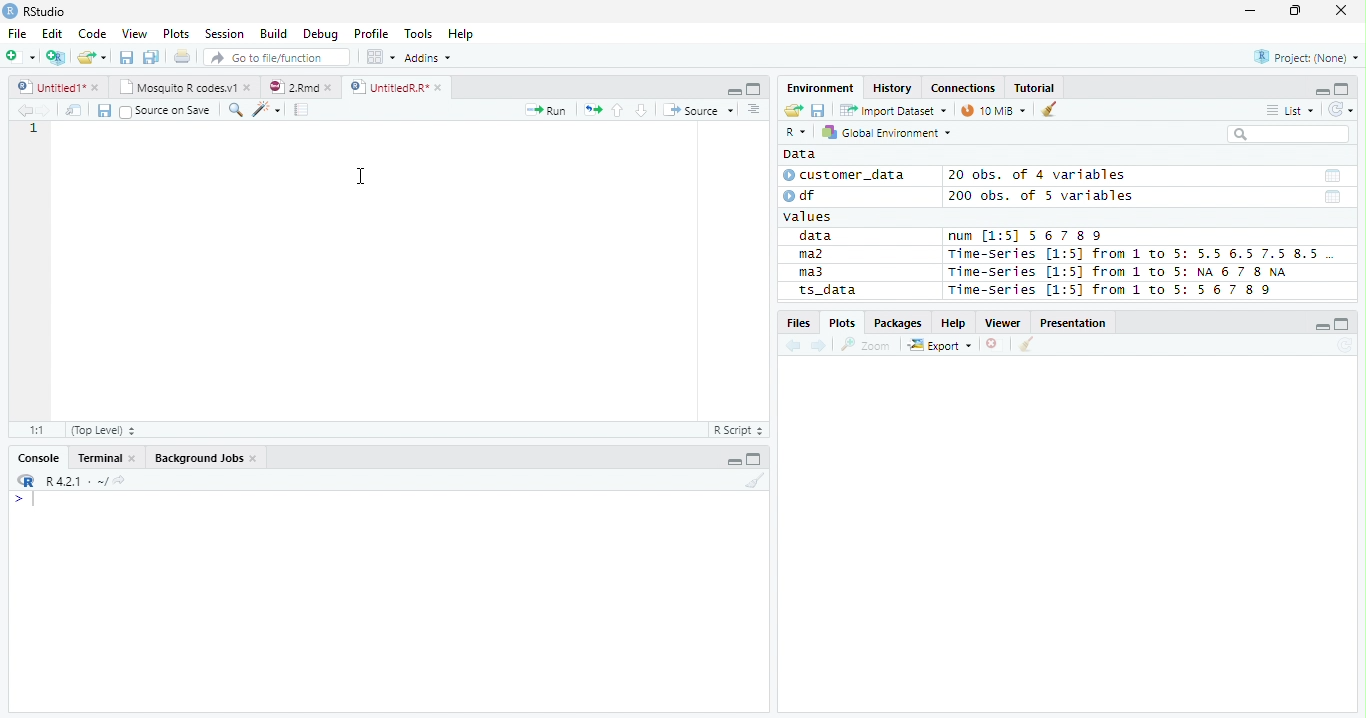 This screenshot has width=1366, height=718. I want to click on Workplace panes, so click(380, 57).